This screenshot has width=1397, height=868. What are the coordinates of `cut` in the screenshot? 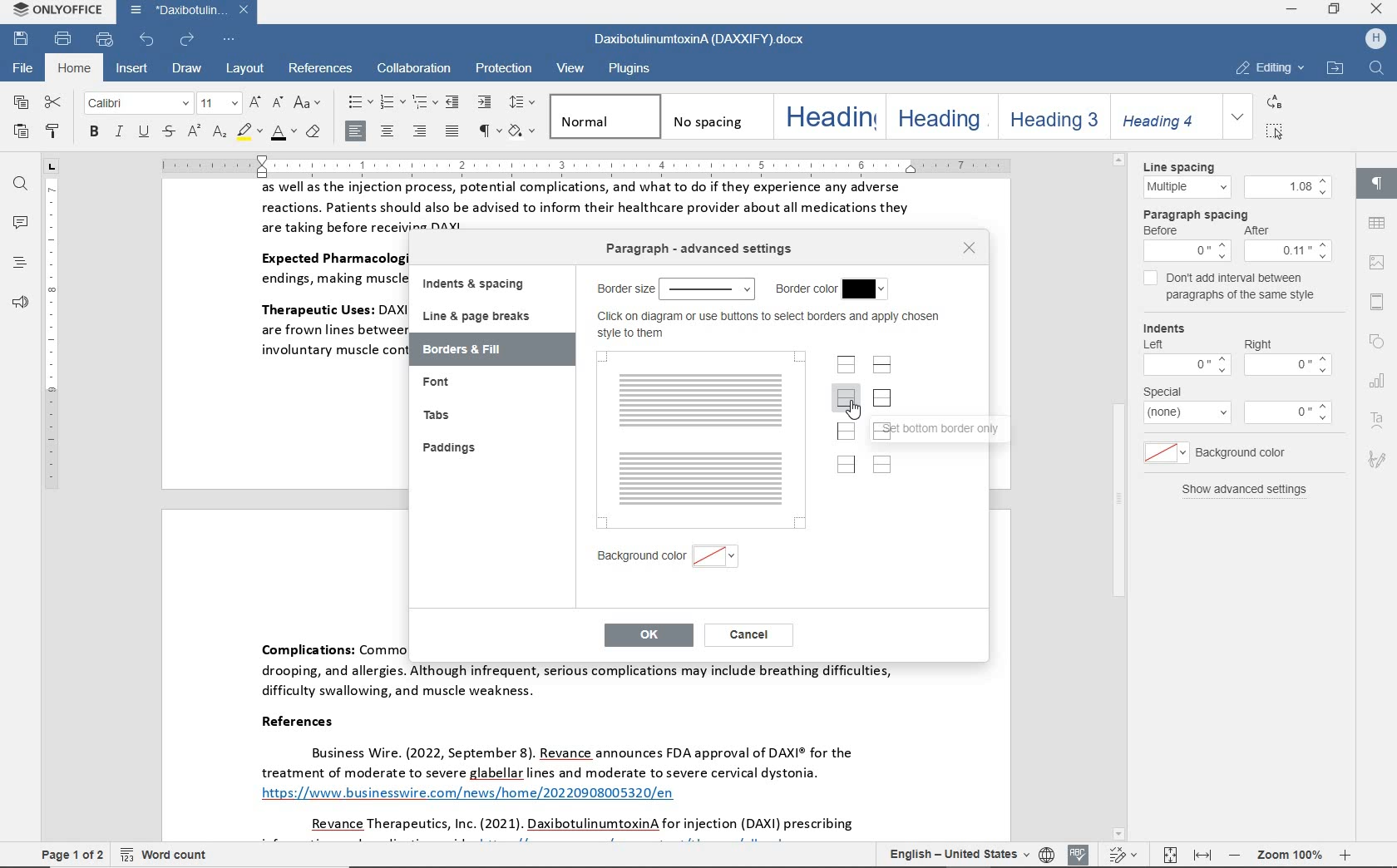 It's located at (53, 103).